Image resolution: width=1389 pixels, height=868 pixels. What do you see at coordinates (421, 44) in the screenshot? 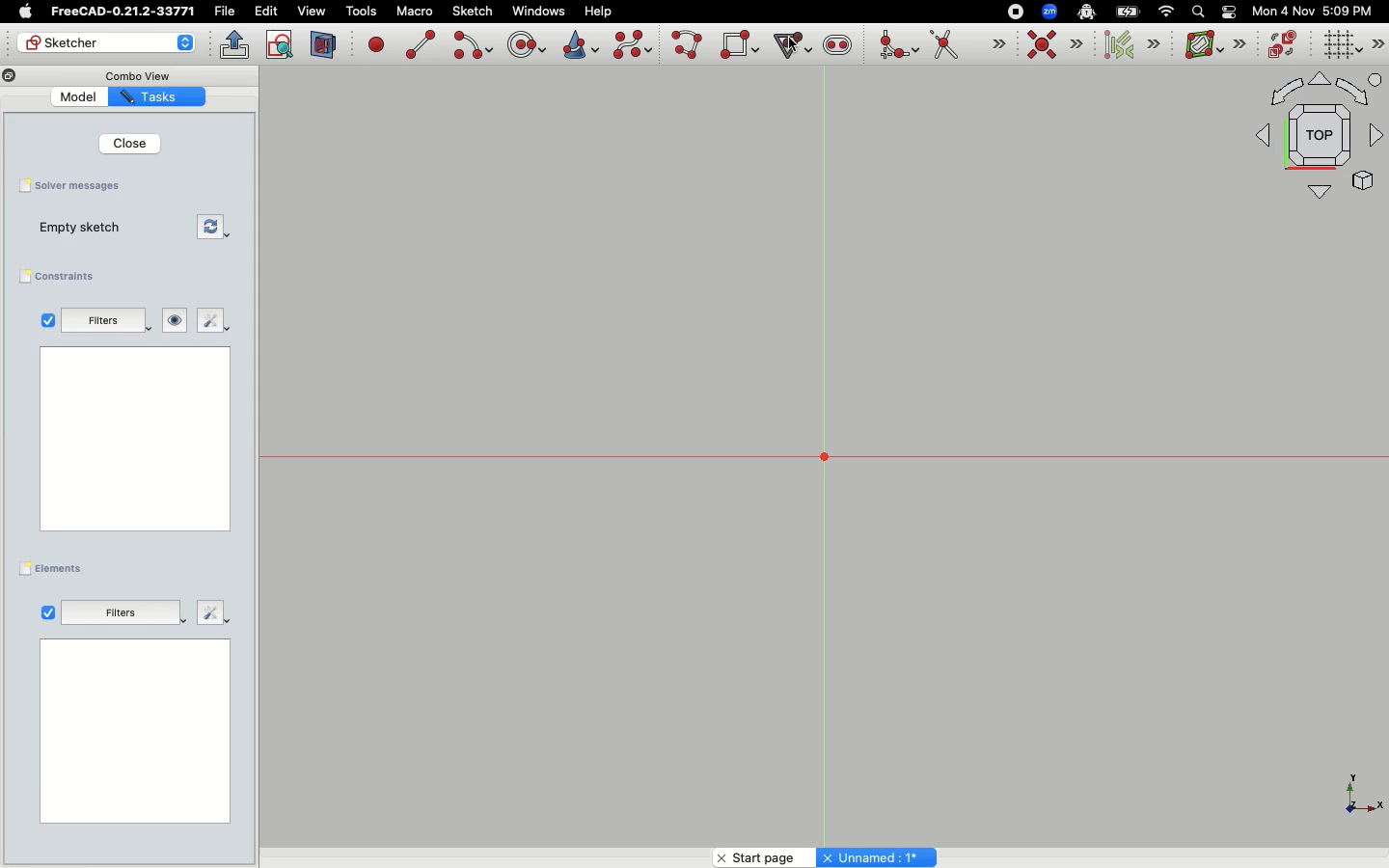
I see `Create line` at bounding box center [421, 44].